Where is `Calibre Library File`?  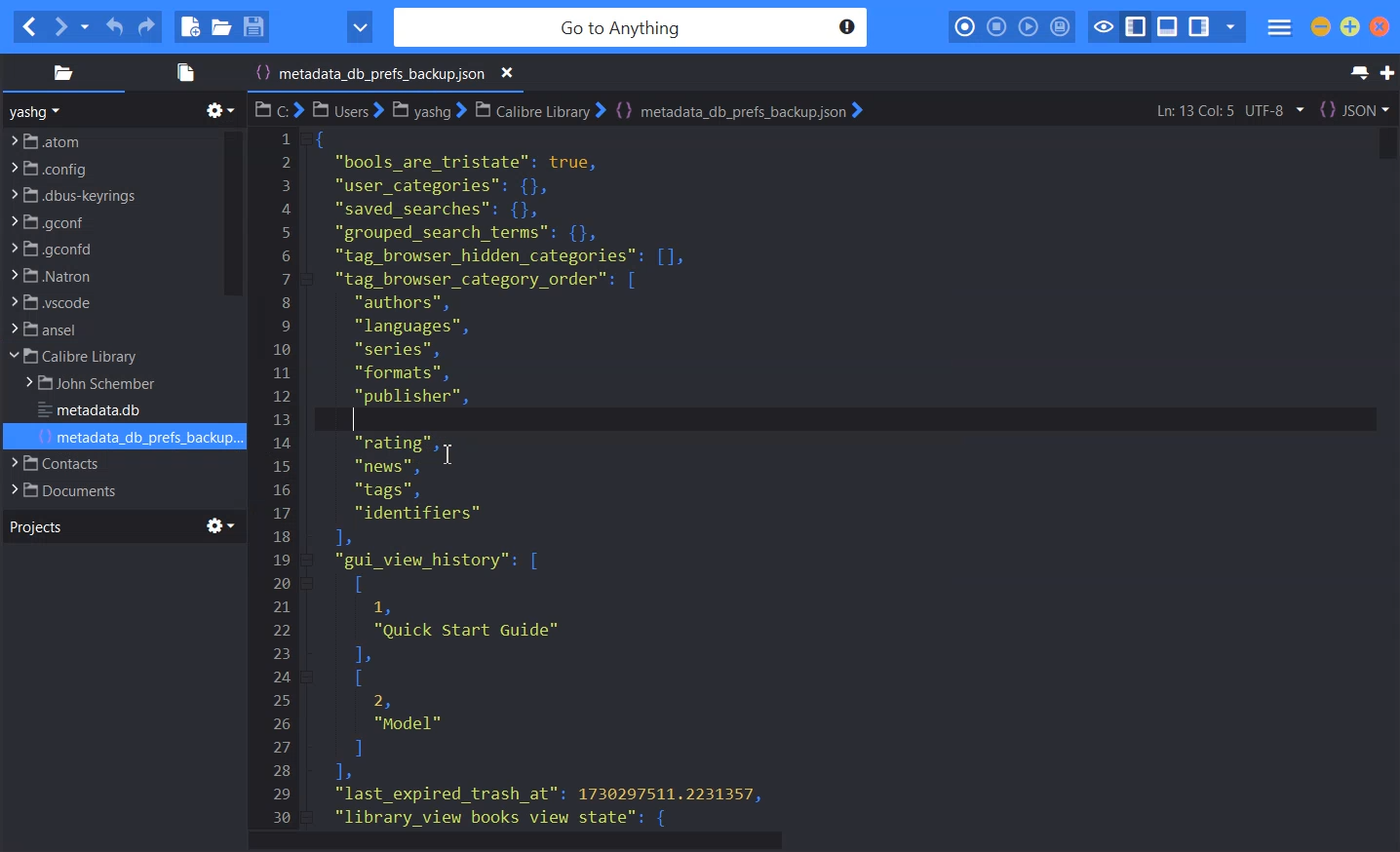 Calibre Library File is located at coordinates (538, 109).